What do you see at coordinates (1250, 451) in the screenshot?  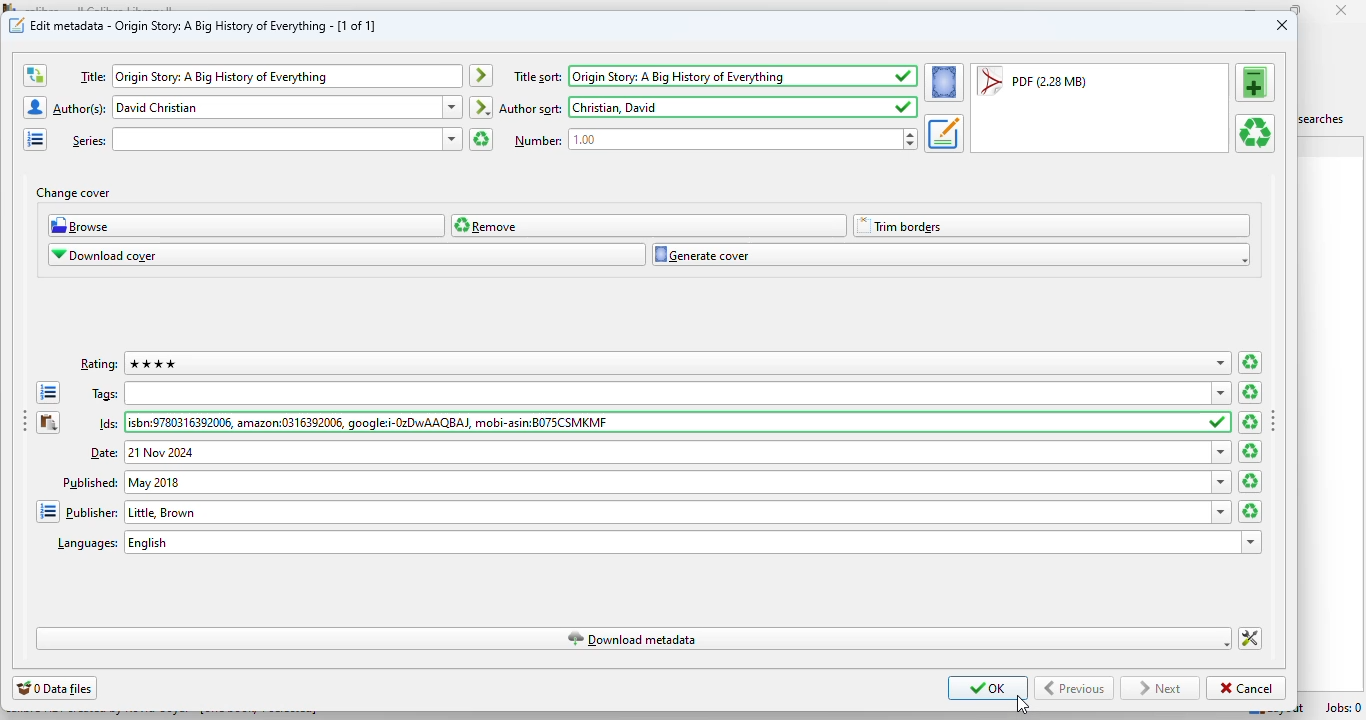 I see `clear date` at bounding box center [1250, 451].